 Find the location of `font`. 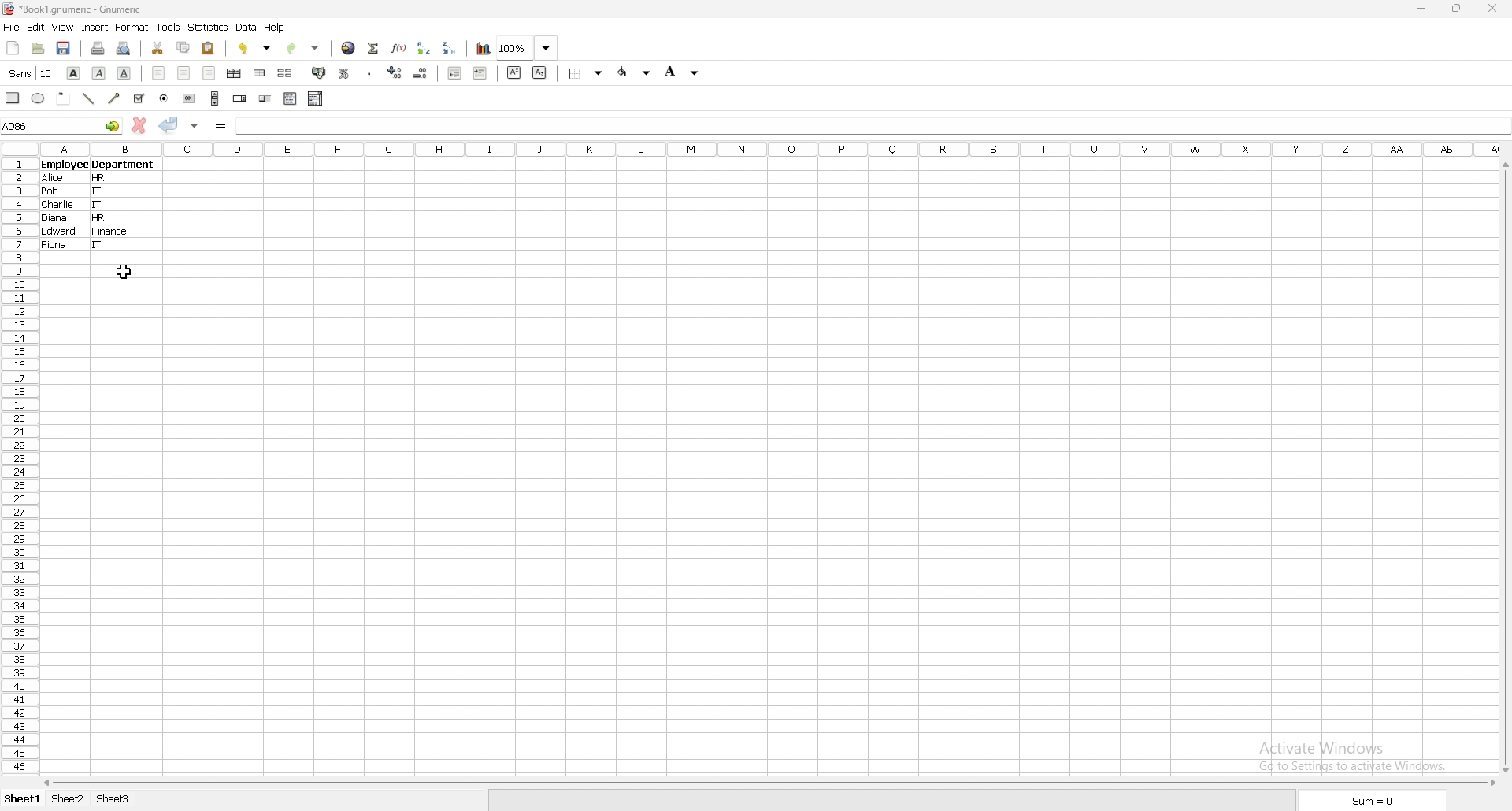

font is located at coordinates (30, 73).